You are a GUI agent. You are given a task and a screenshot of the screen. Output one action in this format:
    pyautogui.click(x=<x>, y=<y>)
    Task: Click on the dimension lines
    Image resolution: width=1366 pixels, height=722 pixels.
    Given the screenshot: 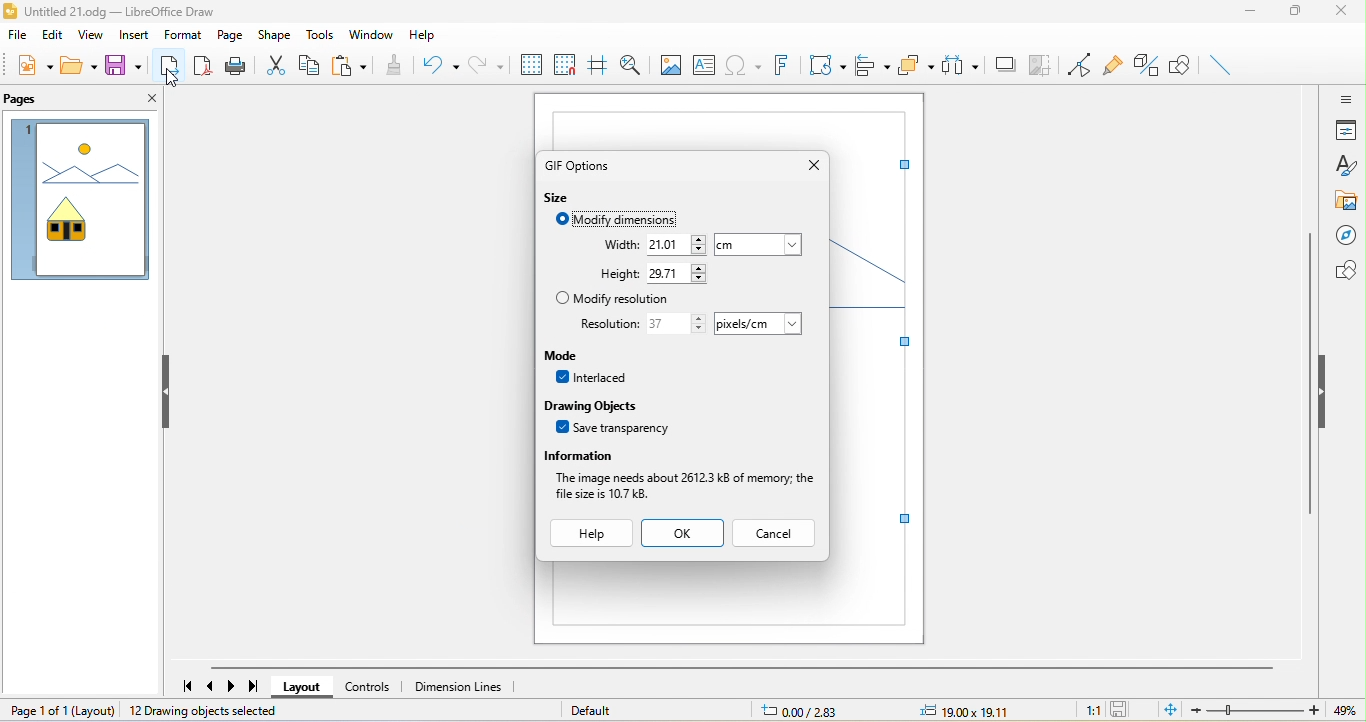 What is the action you would take?
    pyautogui.click(x=459, y=686)
    